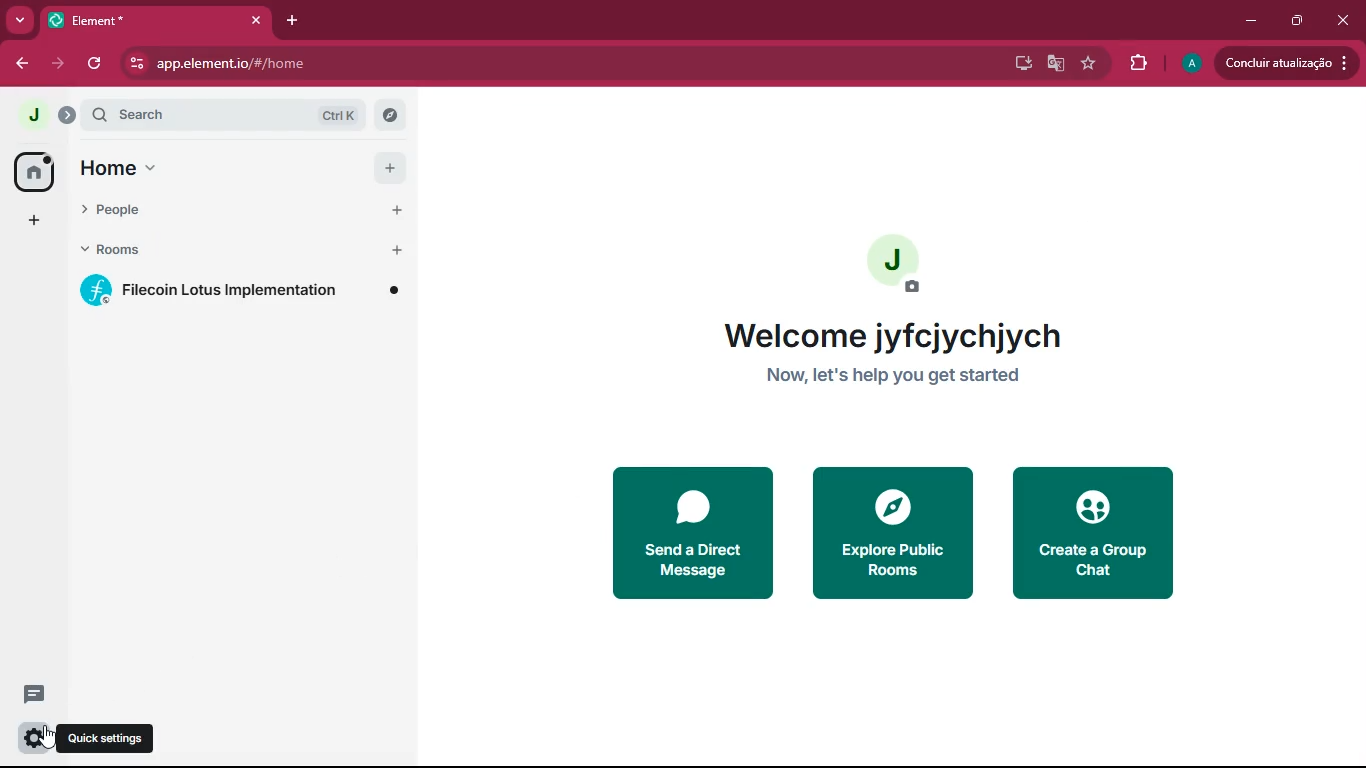  I want to click on filecoin lotus implementation, so click(245, 291).